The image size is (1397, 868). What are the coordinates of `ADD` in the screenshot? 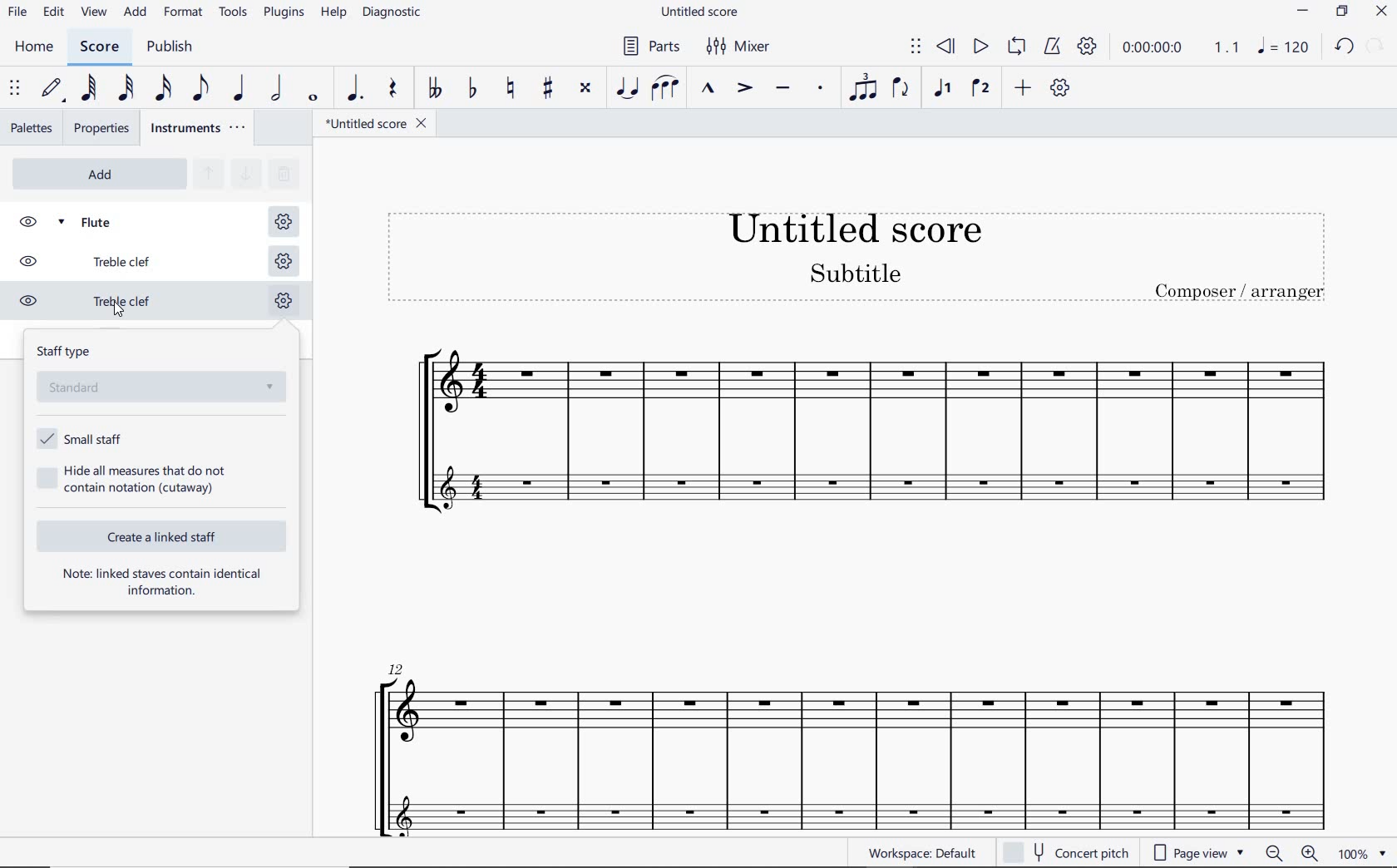 It's located at (1024, 88).